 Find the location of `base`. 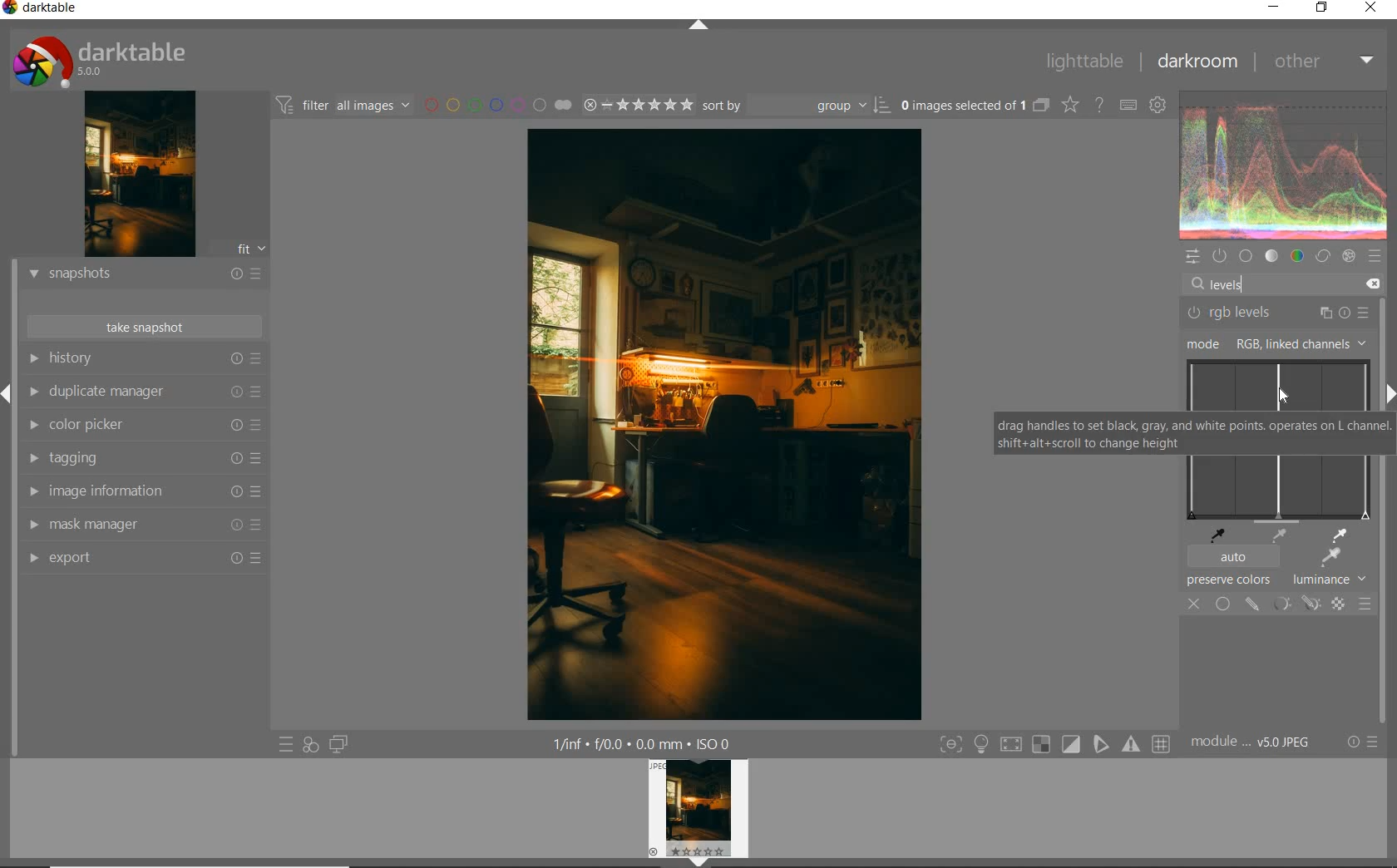

base is located at coordinates (1246, 256).